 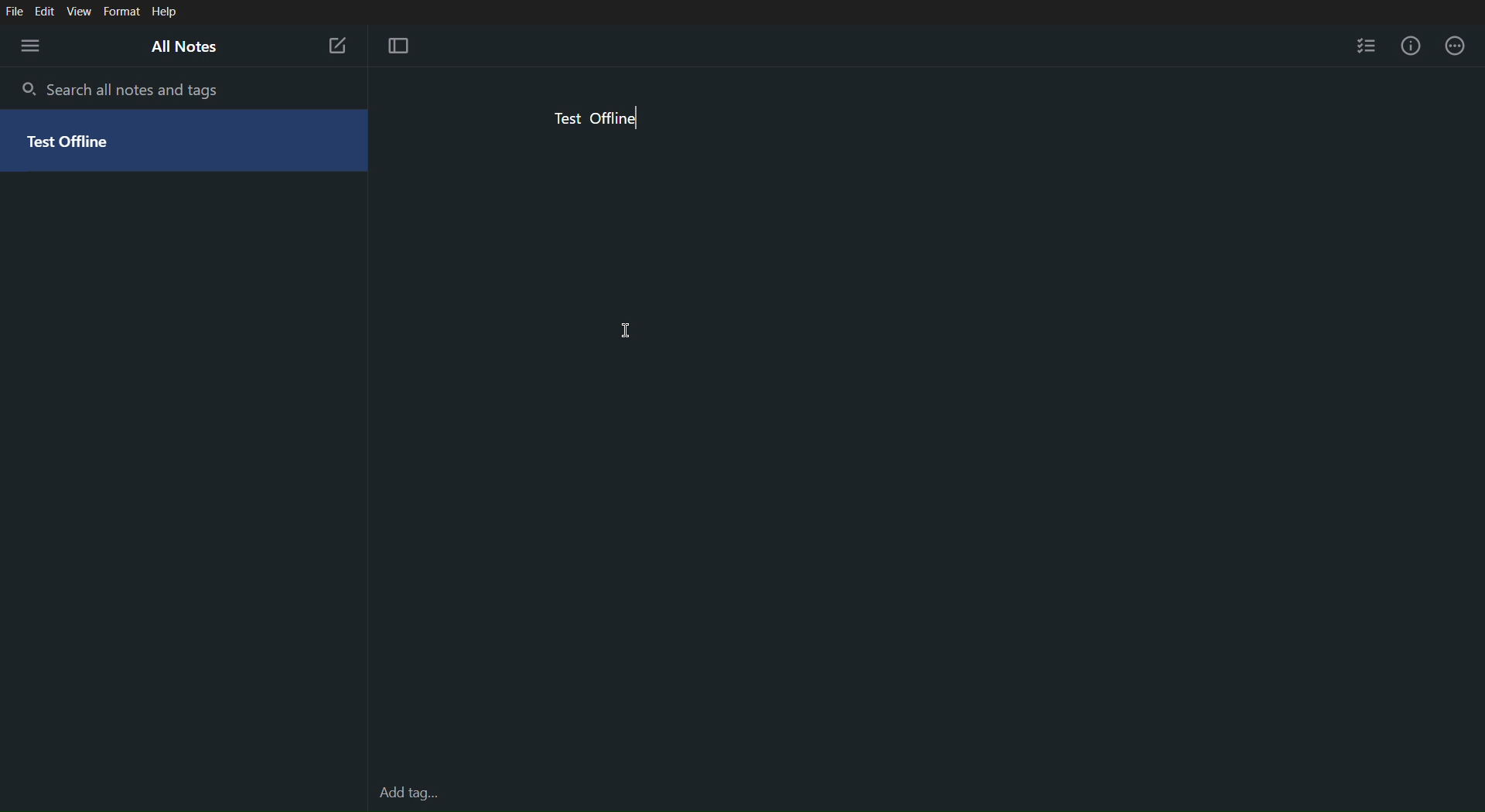 I want to click on Menu, so click(x=28, y=44).